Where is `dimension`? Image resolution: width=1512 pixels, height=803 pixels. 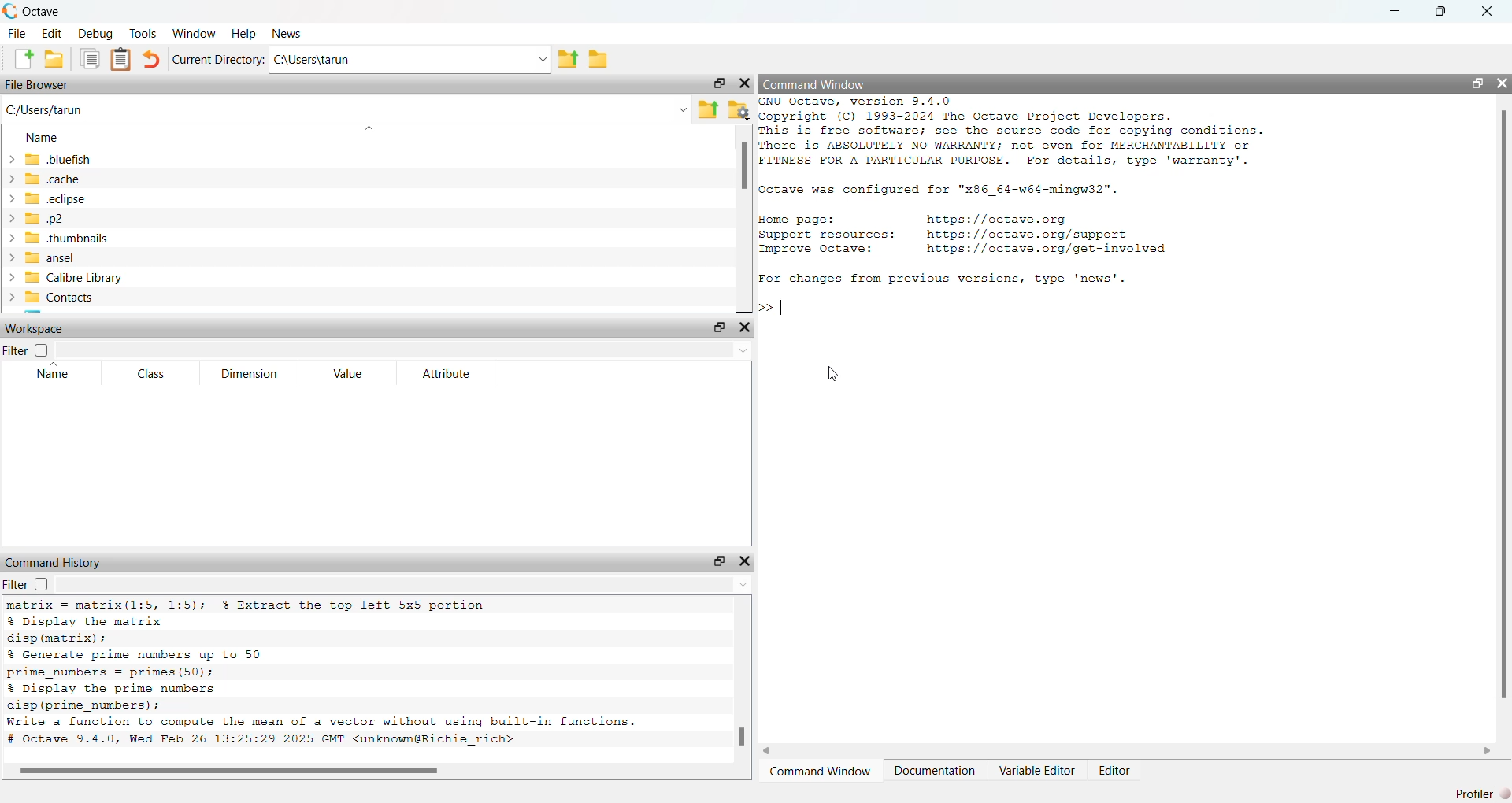 dimension is located at coordinates (249, 373).